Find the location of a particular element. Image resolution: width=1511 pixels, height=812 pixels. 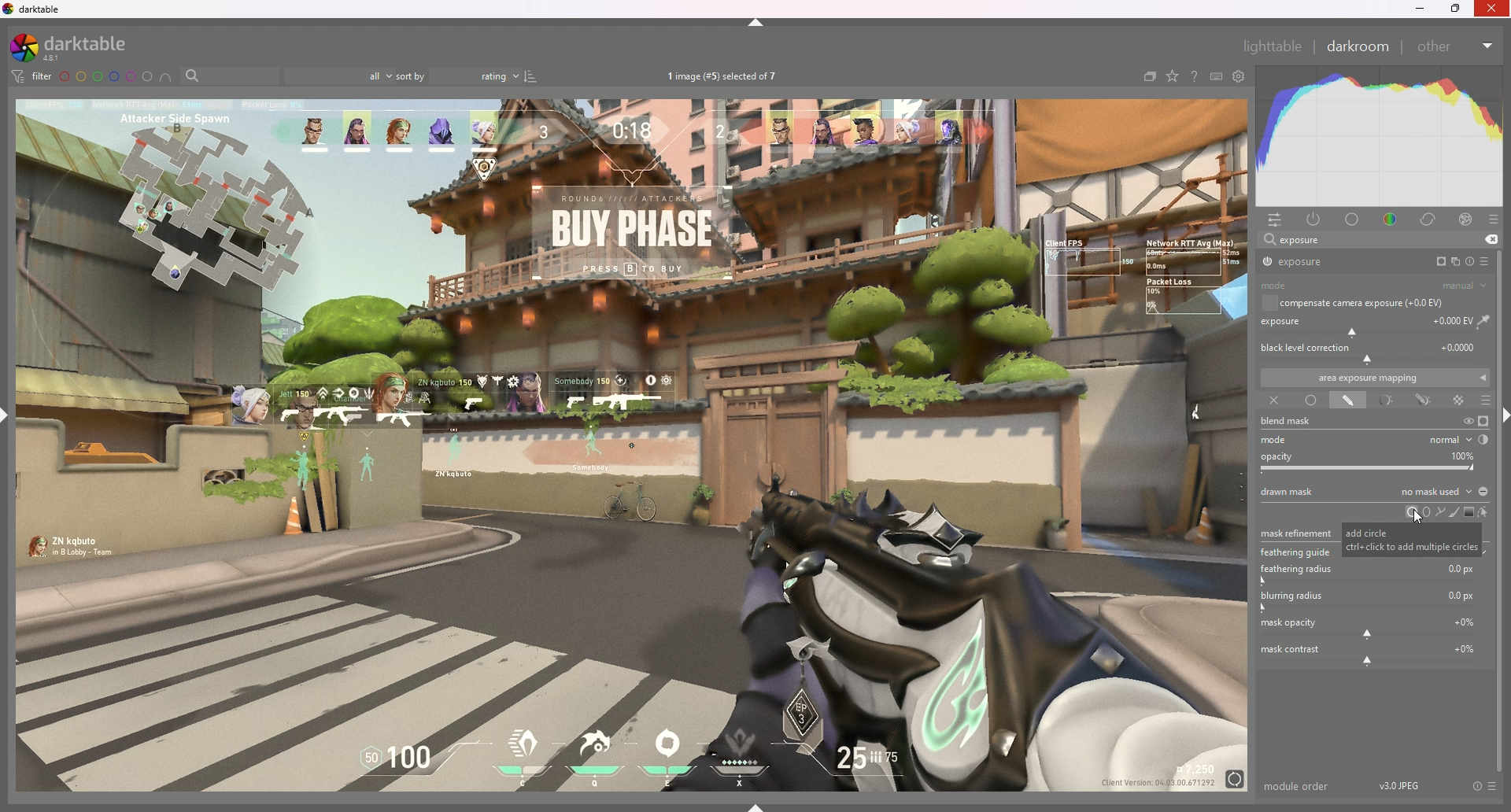

darktable is located at coordinates (35, 9).